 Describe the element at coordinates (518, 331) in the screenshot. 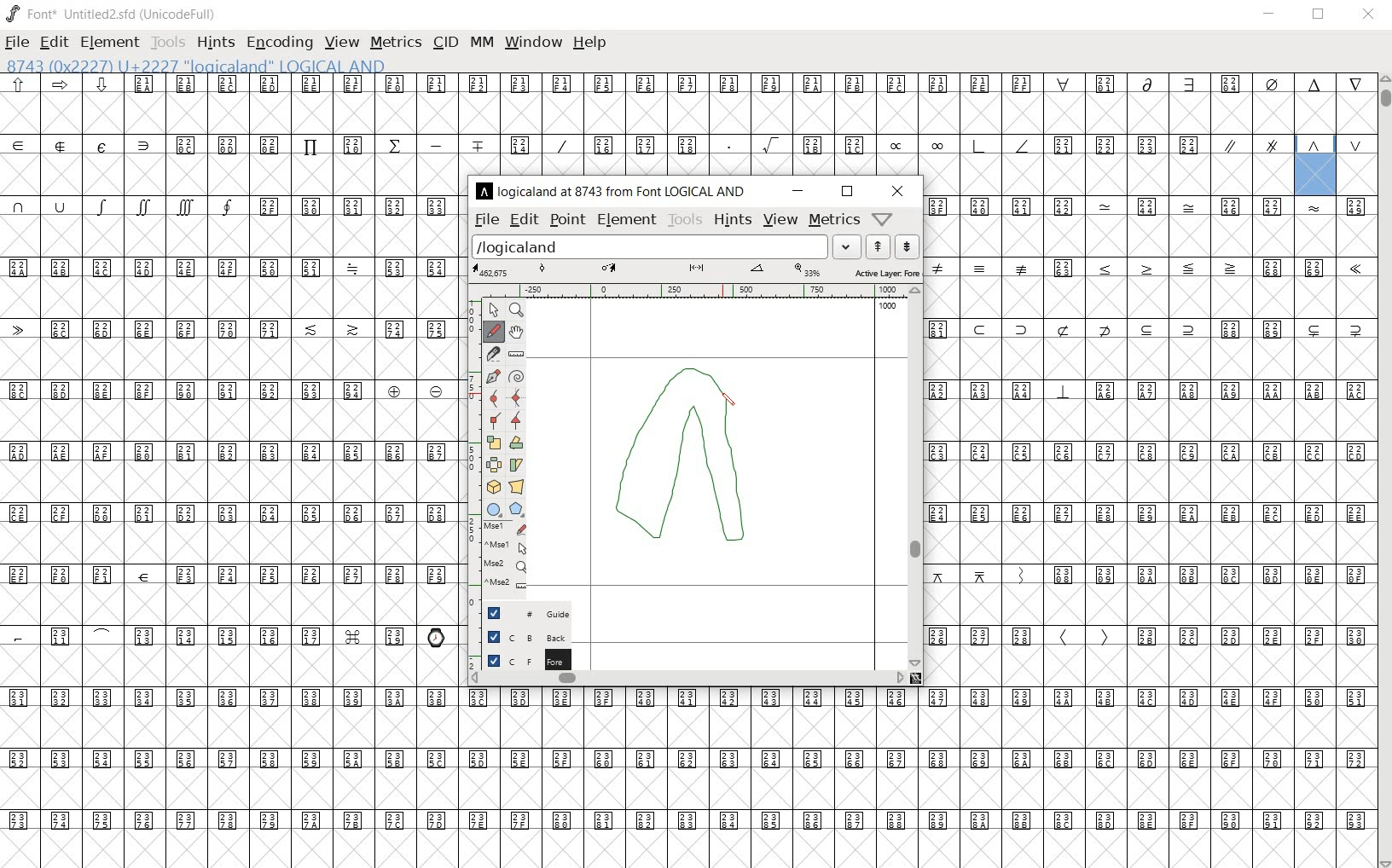

I see `scroll by hand` at that location.